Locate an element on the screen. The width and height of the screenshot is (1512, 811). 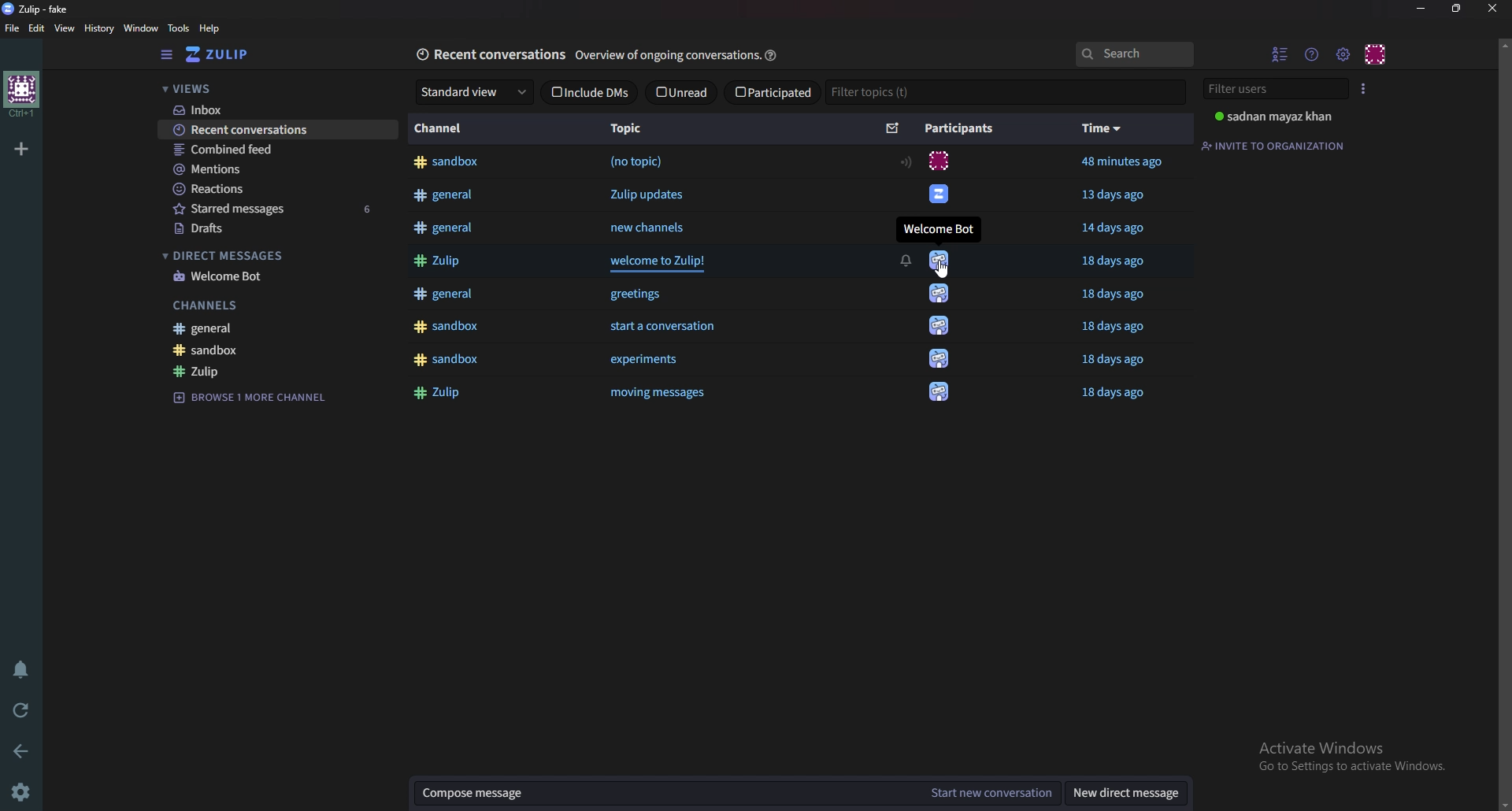
History is located at coordinates (98, 29).